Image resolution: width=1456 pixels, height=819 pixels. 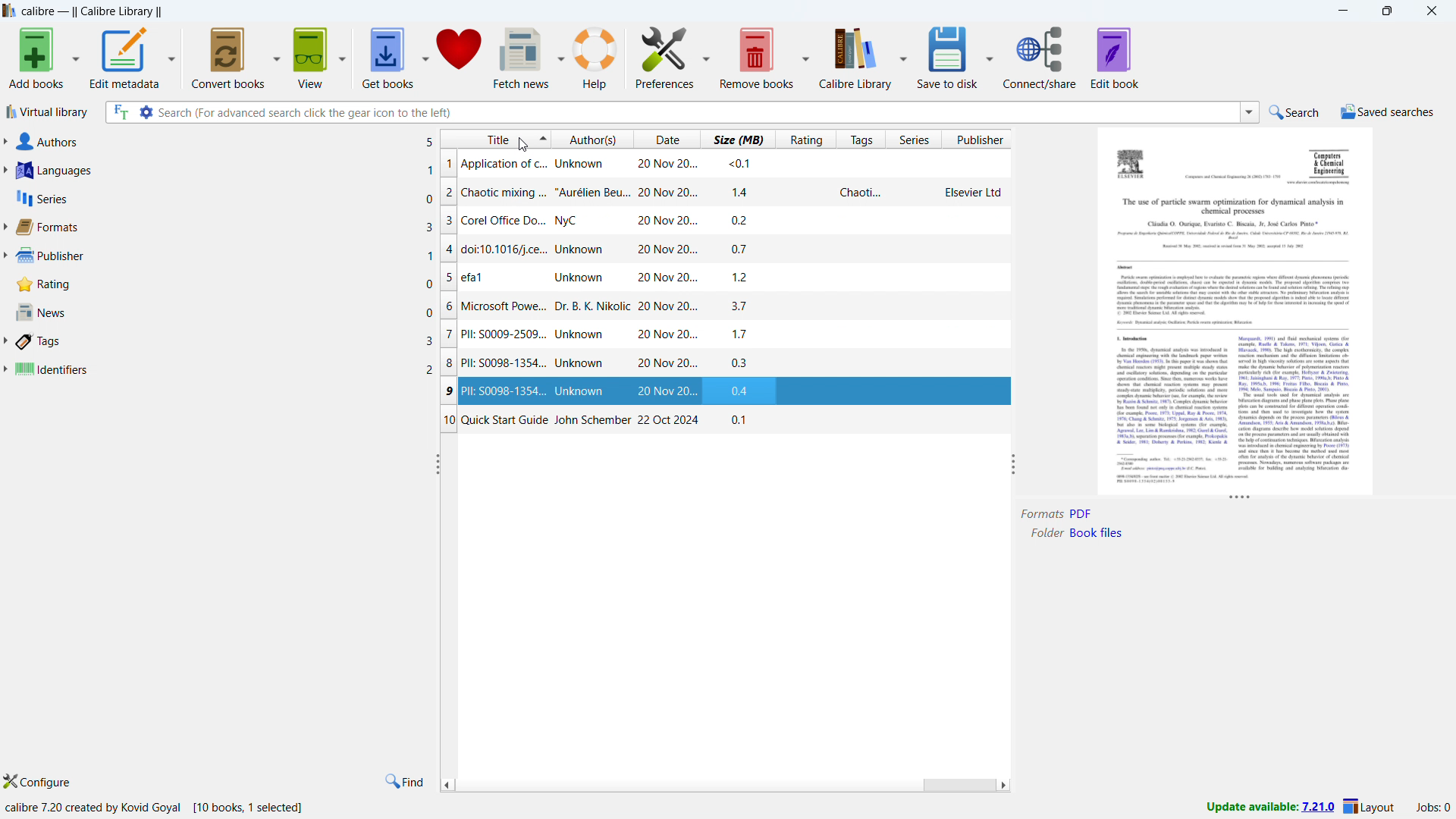 What do you see at coordinates (739, 138) in the screenshot?
I see `sort by size` at bounding box center [739, 138].